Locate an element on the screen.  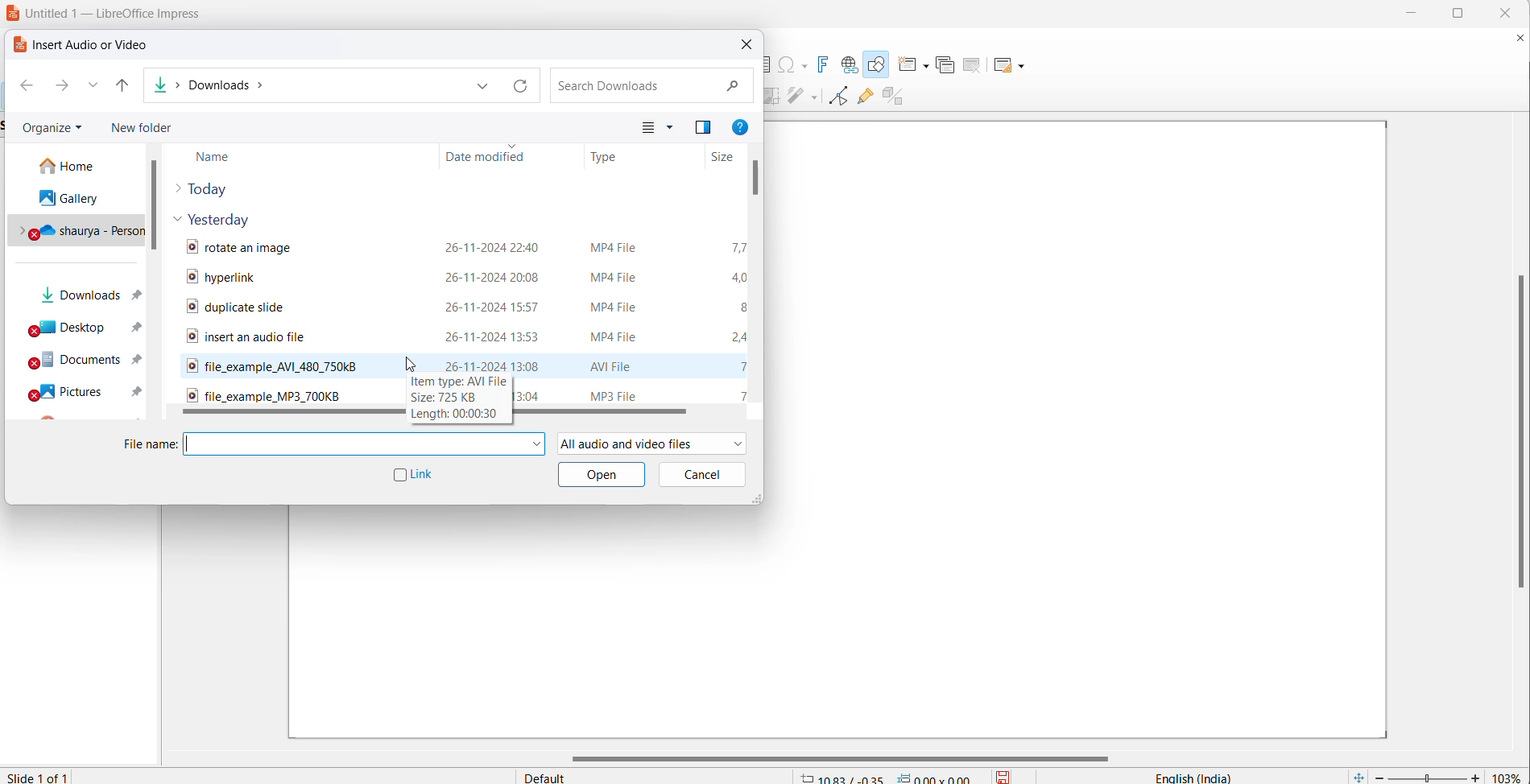
hover text is located at coordinates (457, 402).